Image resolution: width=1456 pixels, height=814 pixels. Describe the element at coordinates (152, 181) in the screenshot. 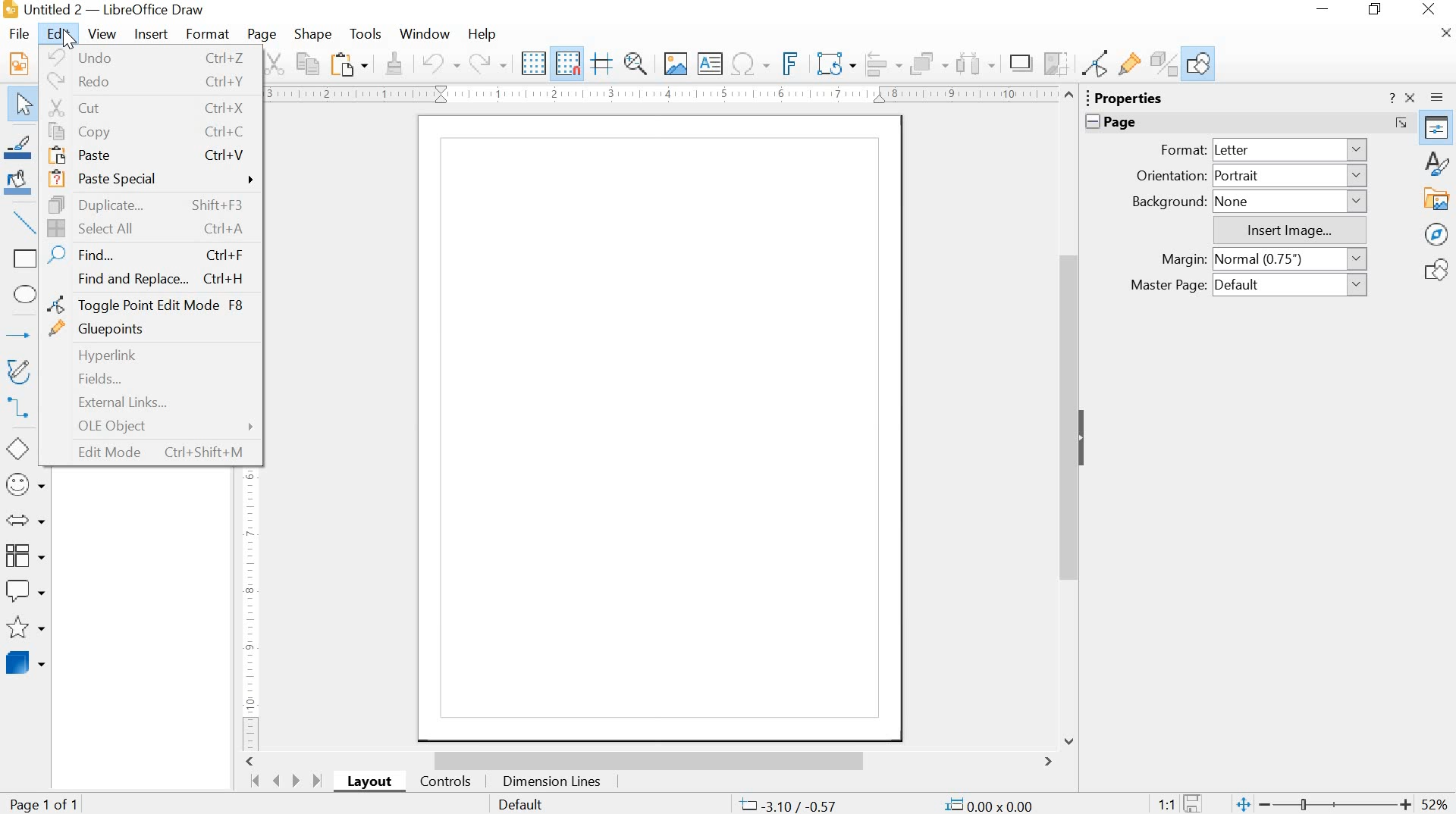

I see `paste special` at that location.